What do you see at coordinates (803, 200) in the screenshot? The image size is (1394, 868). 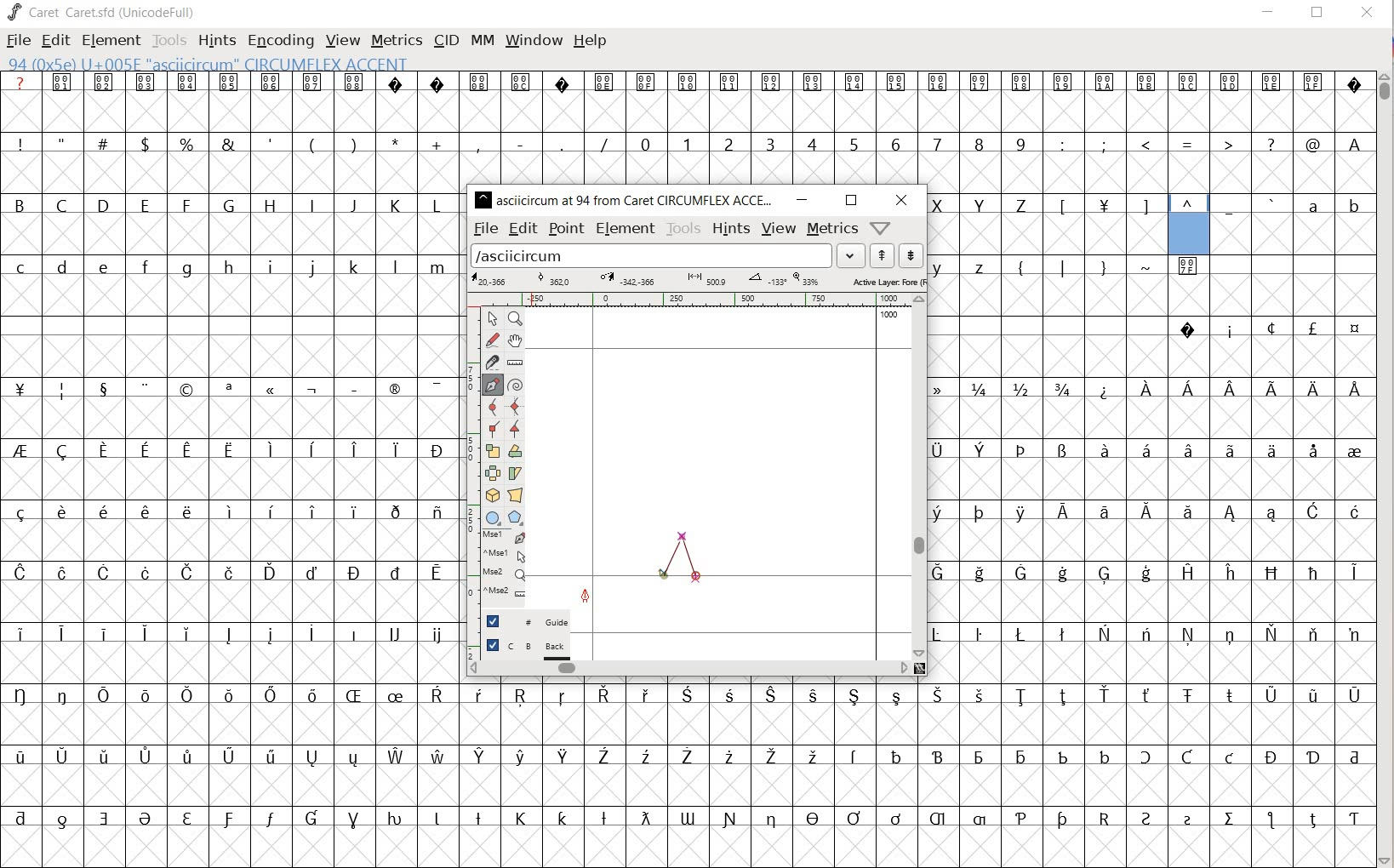 I see `minimize` at bounding box center [803, 200].